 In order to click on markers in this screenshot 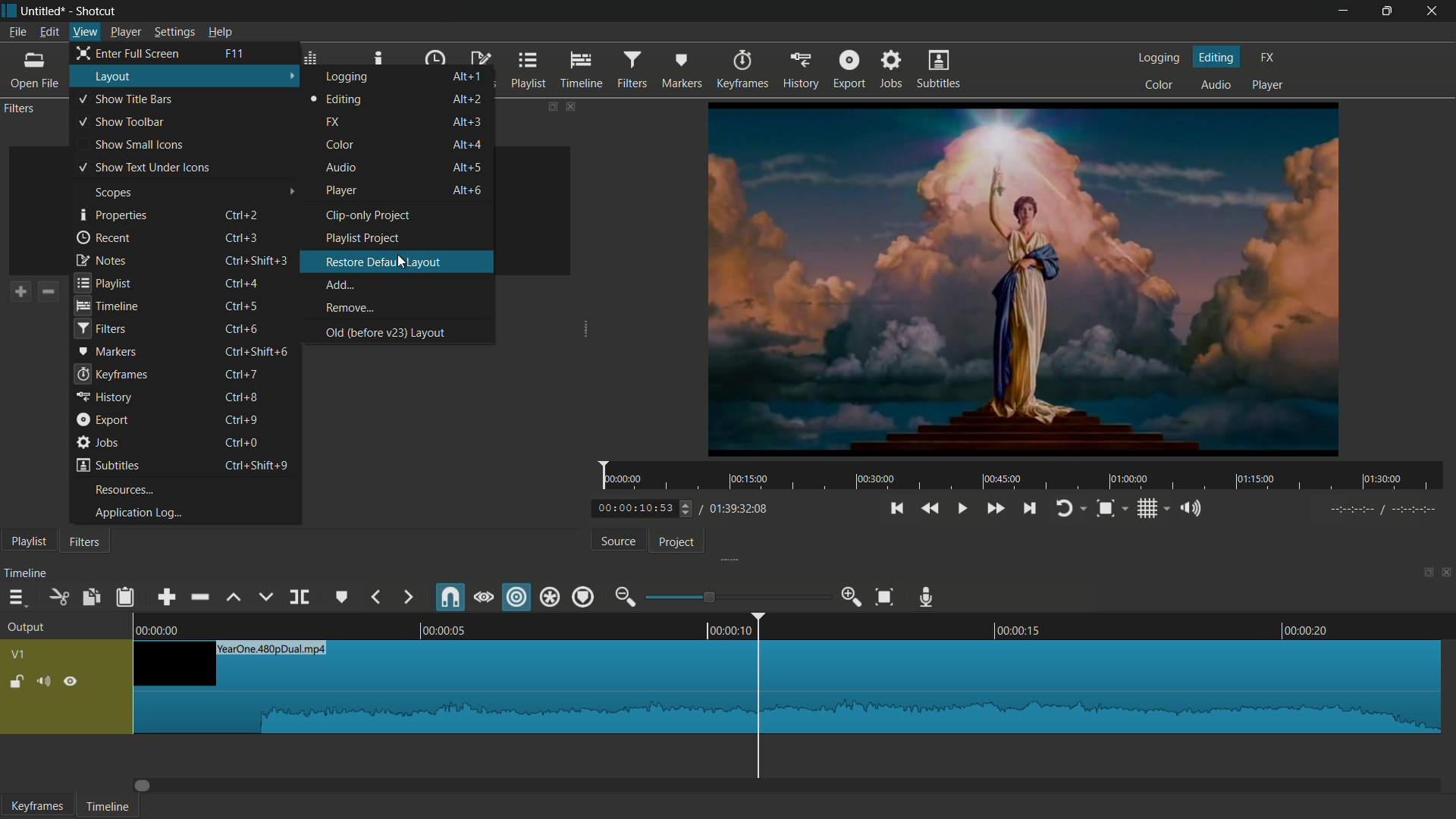, I will do `click(679, 70)`.